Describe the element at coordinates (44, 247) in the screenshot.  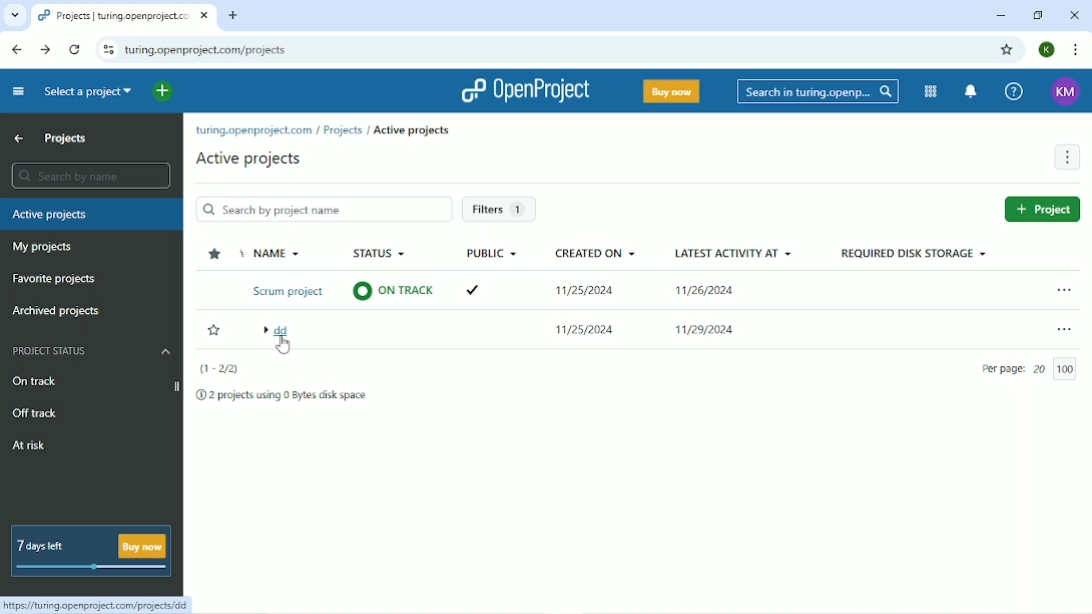
I see `My projects` at that location.